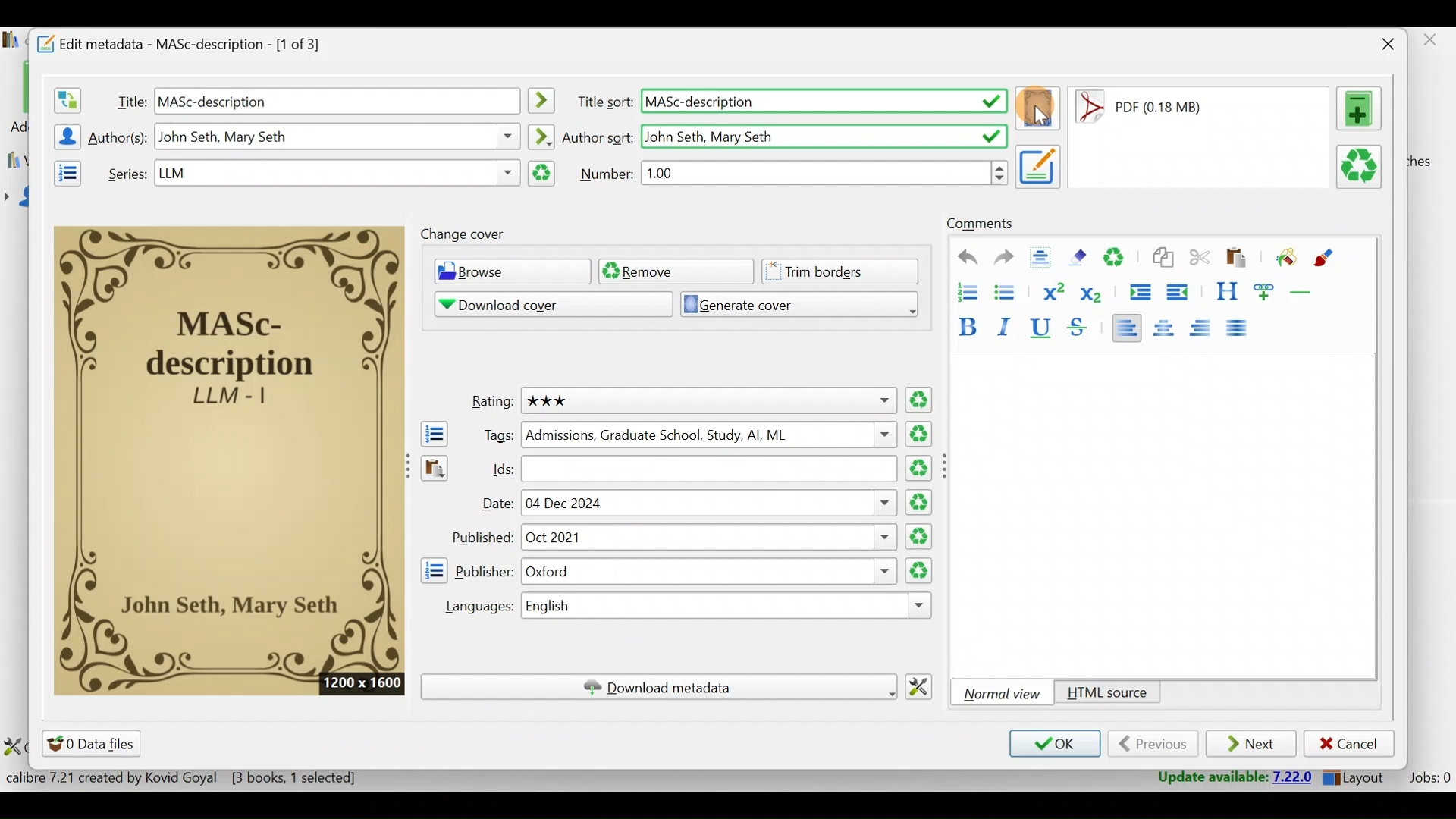 The image size is (1456, 819). Describe the element at coordinates (917, 570) in the screenshot. I see `Clear publisher` at that location.